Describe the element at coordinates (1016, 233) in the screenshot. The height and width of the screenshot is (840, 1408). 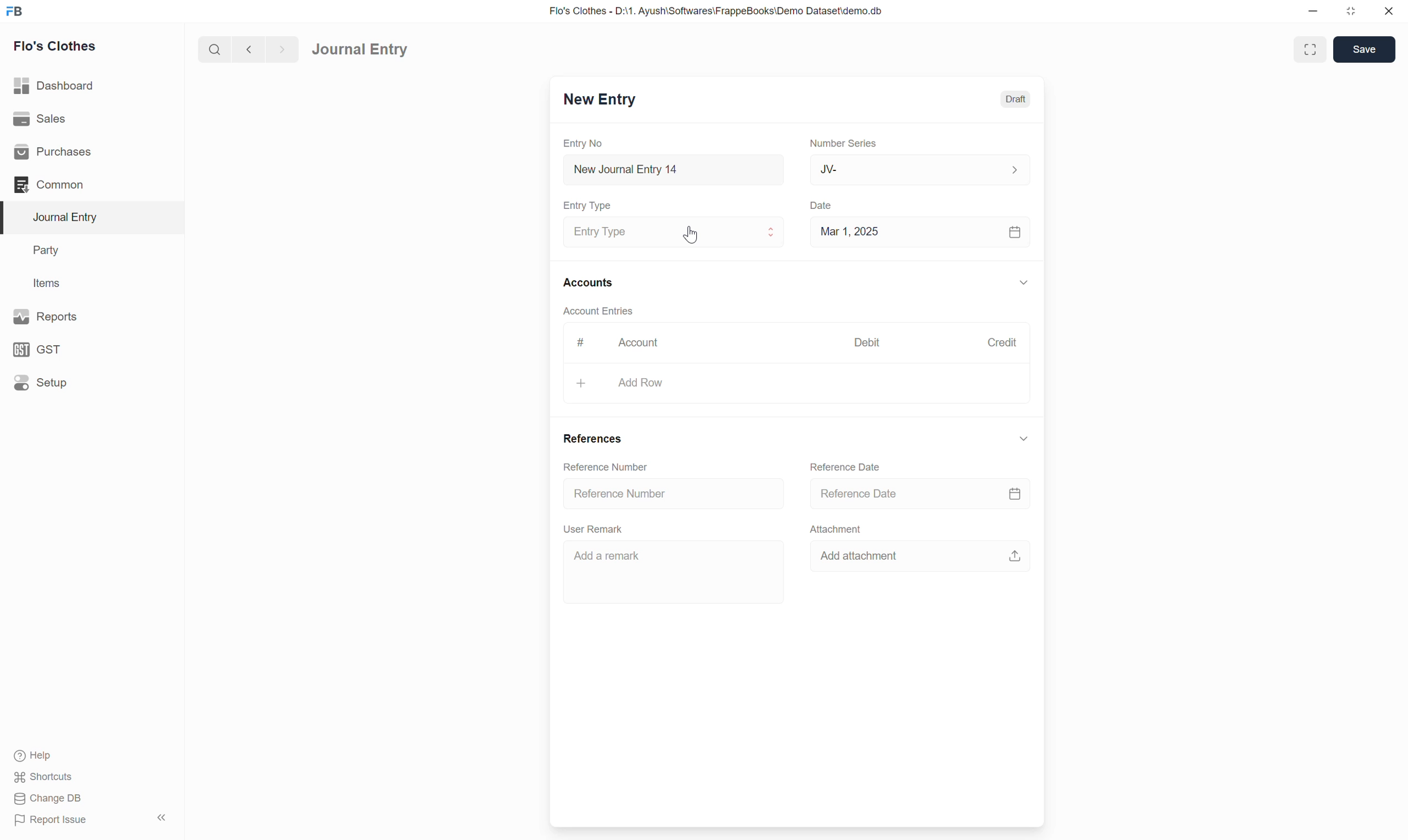
I see `calendar` at that location.